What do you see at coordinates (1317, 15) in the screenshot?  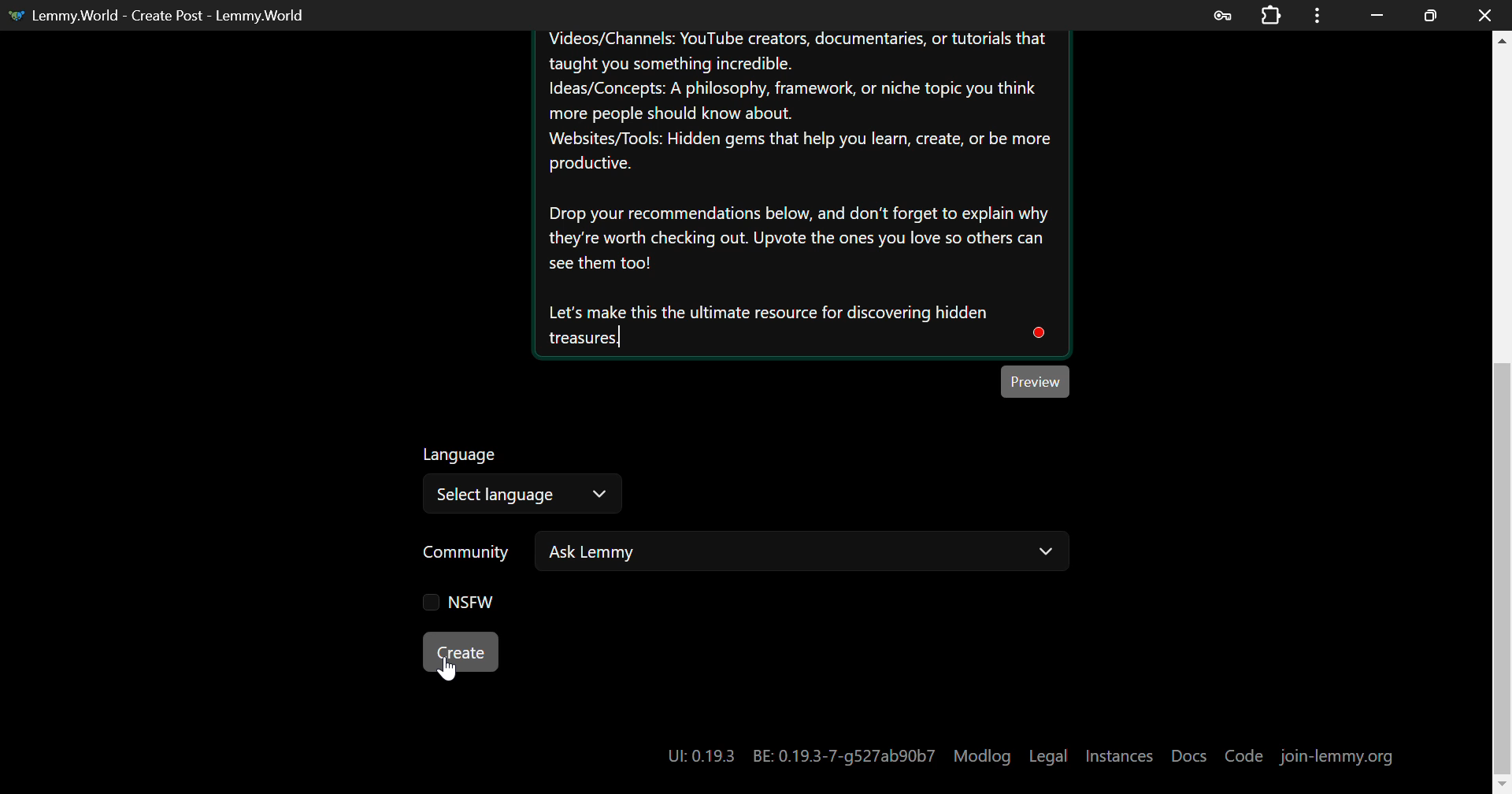 I see `Menu` at bounding box center [1317, 15].